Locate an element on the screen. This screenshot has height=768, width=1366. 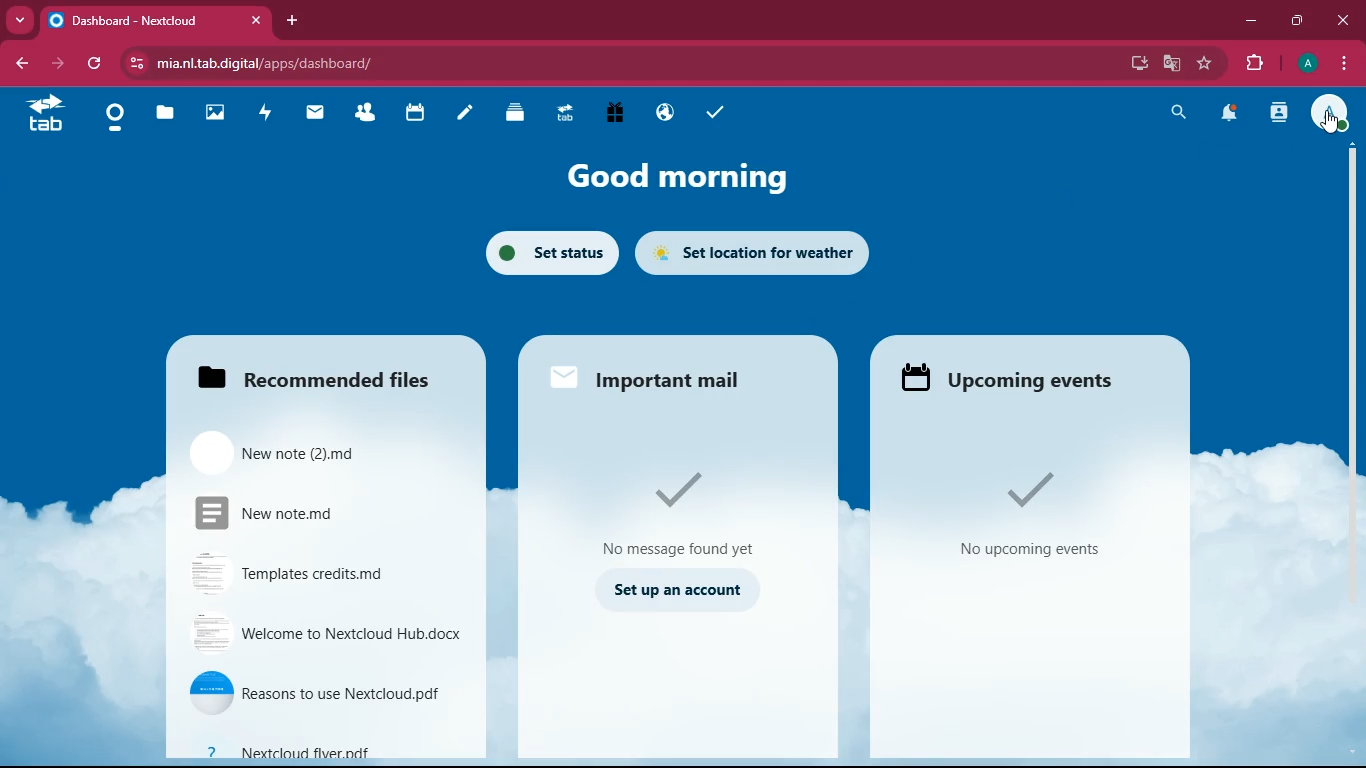
scroll is located at coordinates (1344, 306).